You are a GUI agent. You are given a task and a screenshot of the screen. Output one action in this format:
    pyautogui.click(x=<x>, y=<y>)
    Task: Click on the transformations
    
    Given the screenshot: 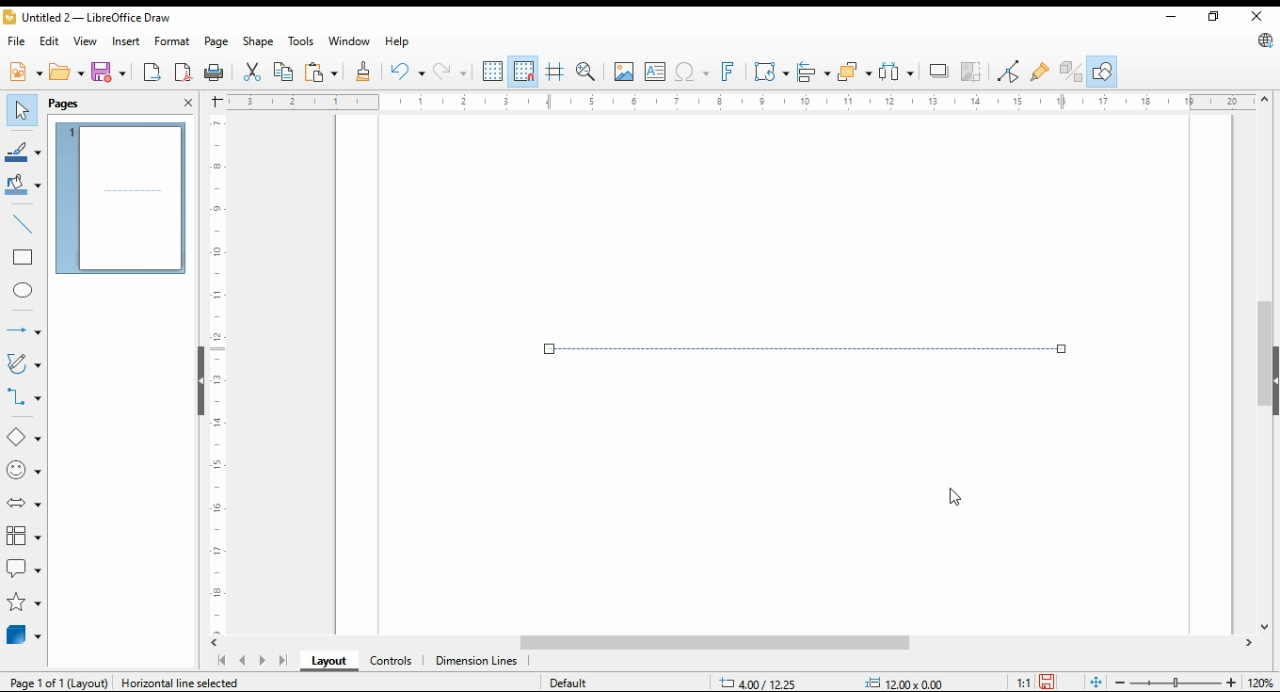 What is the action you would take?
    pyautogui.click(x=770, y=71)
    